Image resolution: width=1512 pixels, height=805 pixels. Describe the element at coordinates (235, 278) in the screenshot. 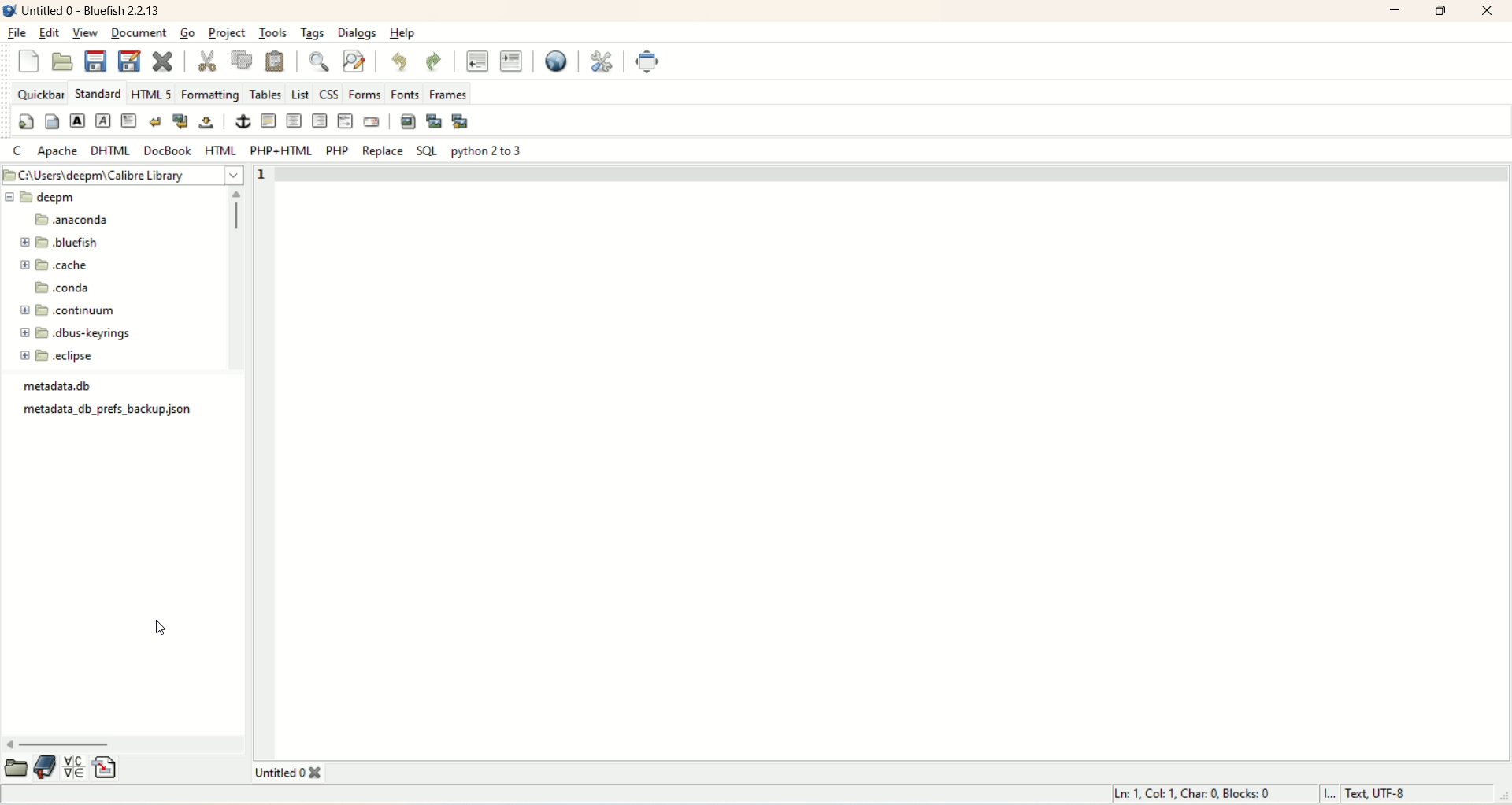

I see `vertical scroll bar` at that location.